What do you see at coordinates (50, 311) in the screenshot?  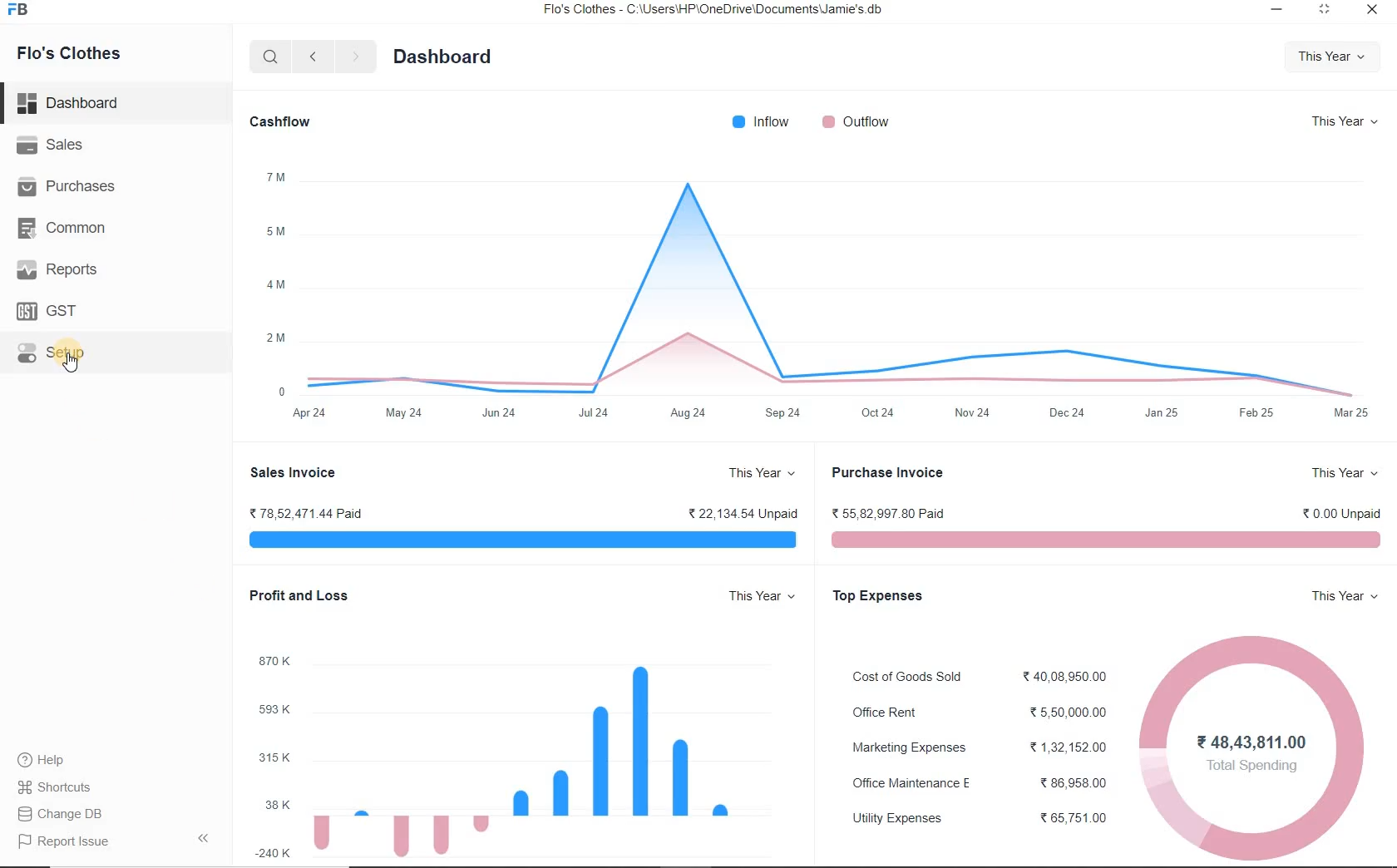 I see `GST` at bounding box center [50, 311].